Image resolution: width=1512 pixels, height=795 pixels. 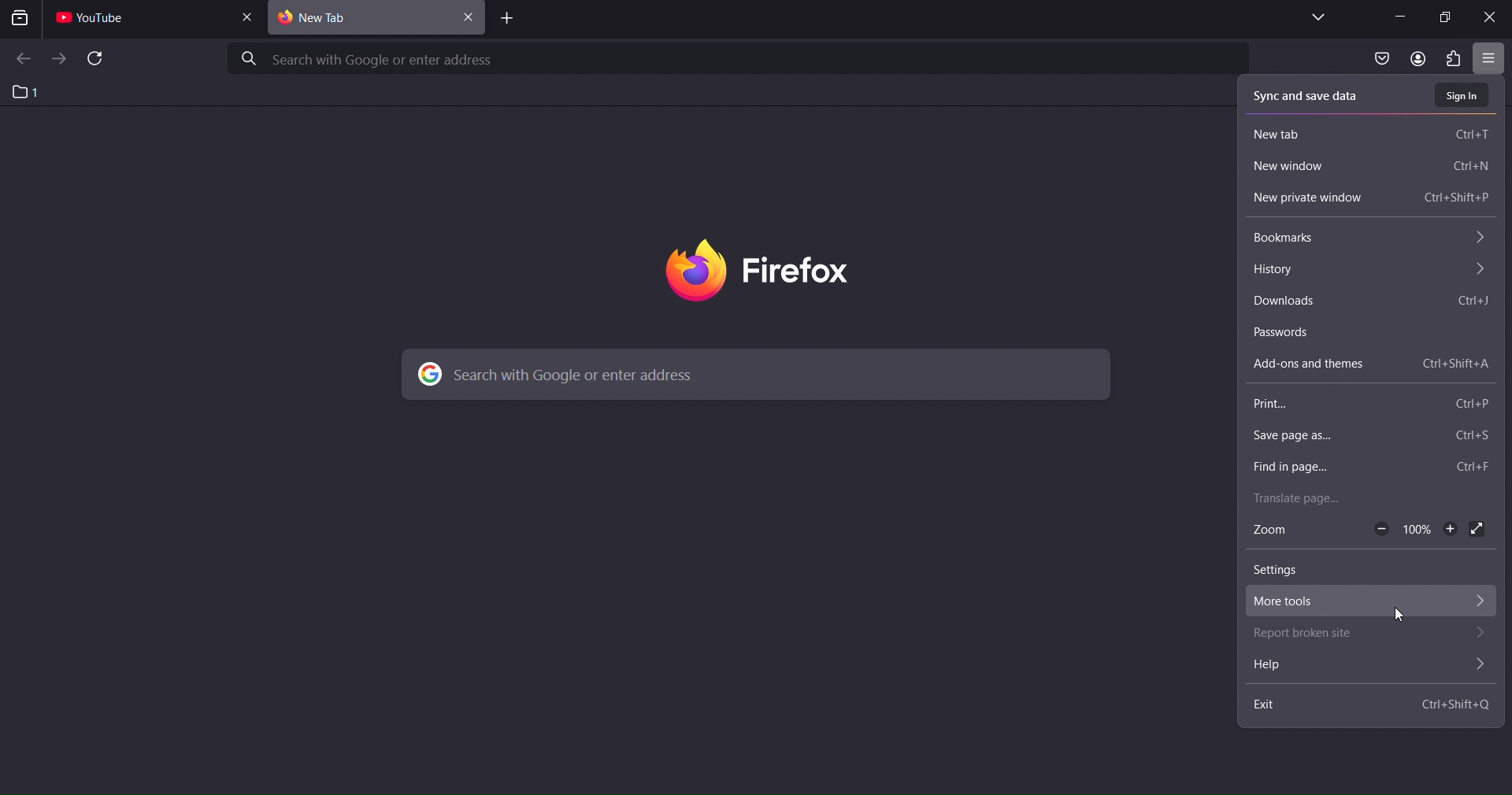 What do you see at coordinates (1480, 240) in the screenshot?
I see `Menu arrow` at bounding box center [1480, 240].